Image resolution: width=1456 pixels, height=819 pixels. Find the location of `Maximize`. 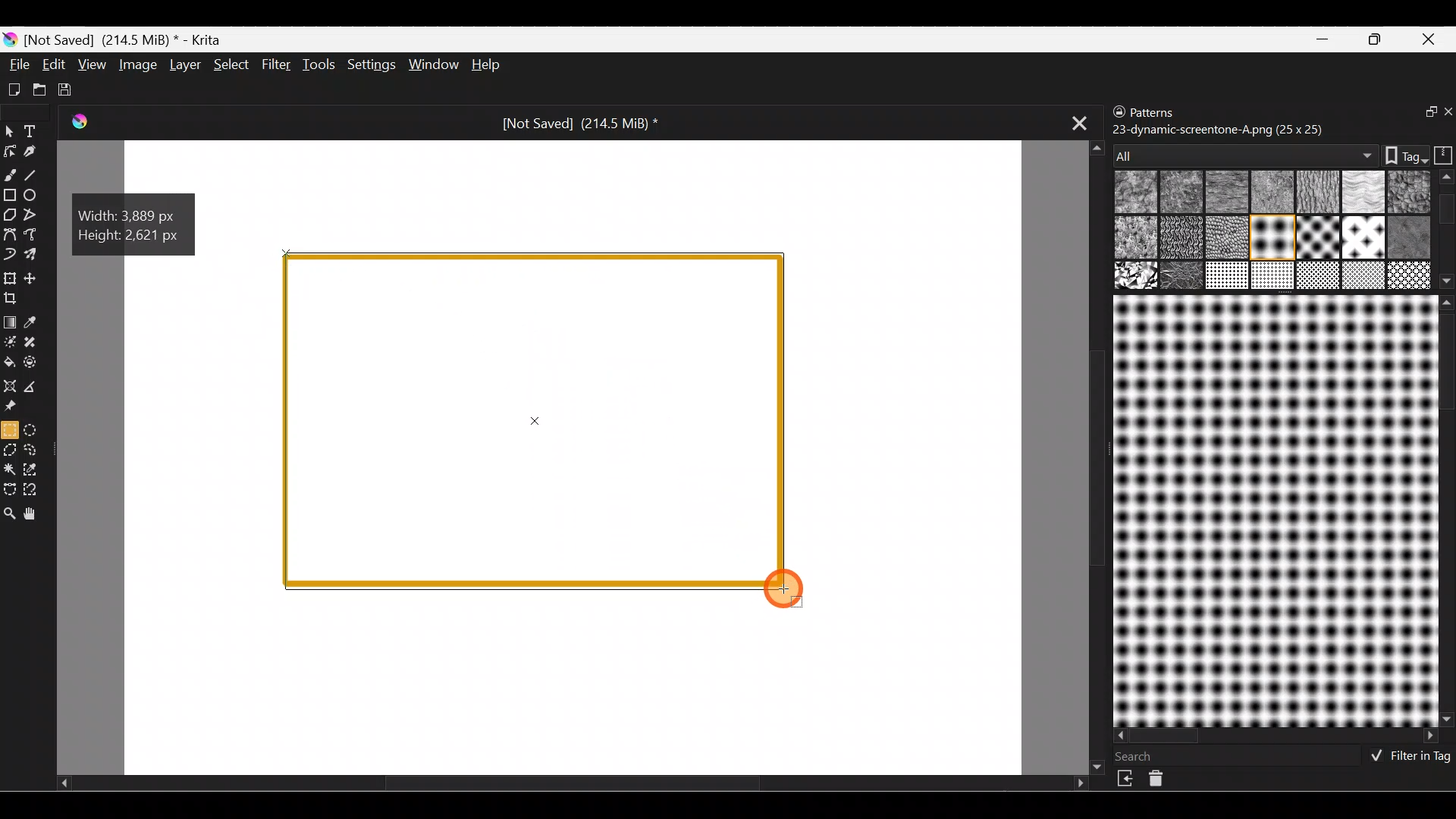

Maximize is located at coordinates (1379, 39).